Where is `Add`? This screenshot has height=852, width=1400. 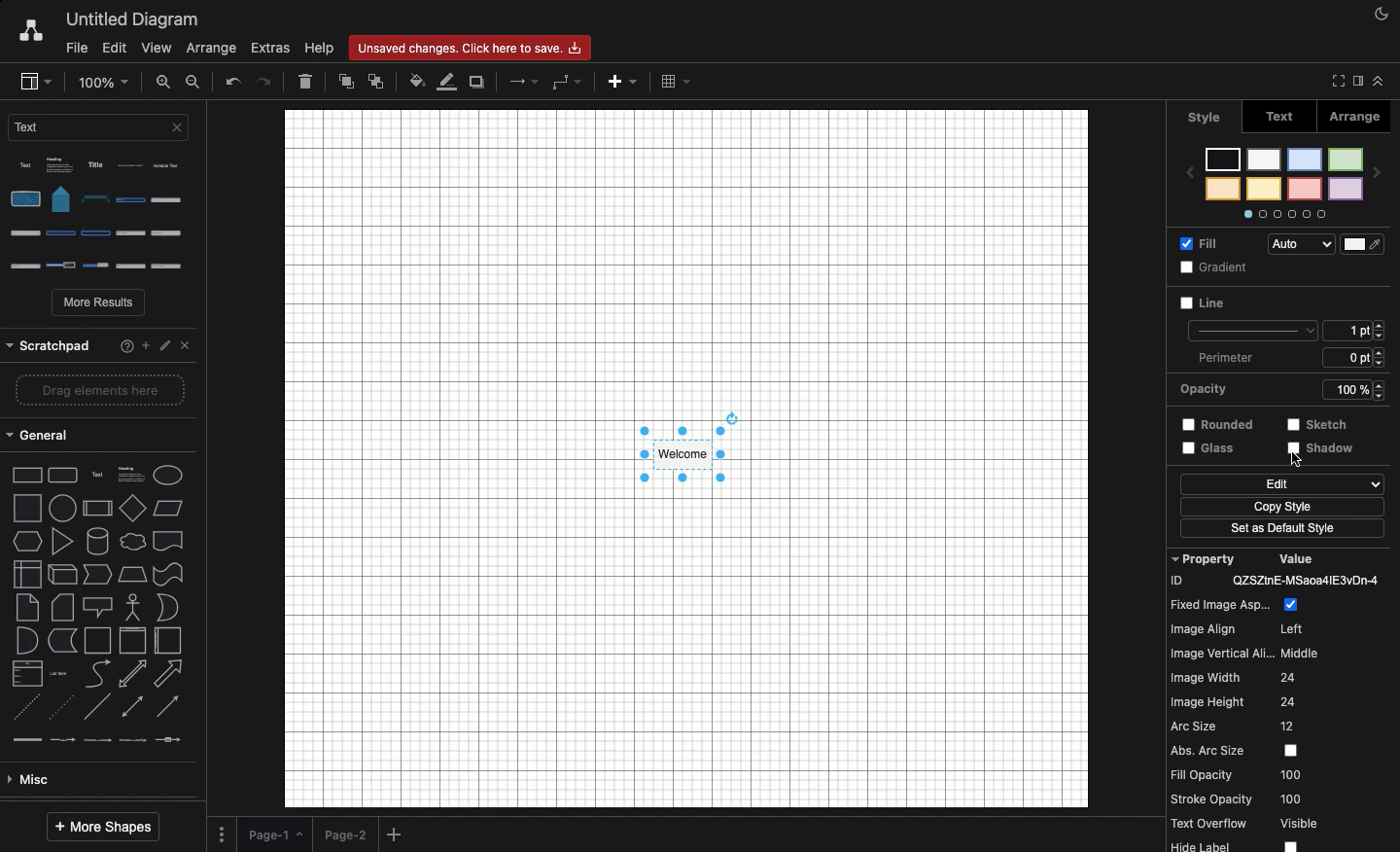 Add is located at coordinates (397, 835).